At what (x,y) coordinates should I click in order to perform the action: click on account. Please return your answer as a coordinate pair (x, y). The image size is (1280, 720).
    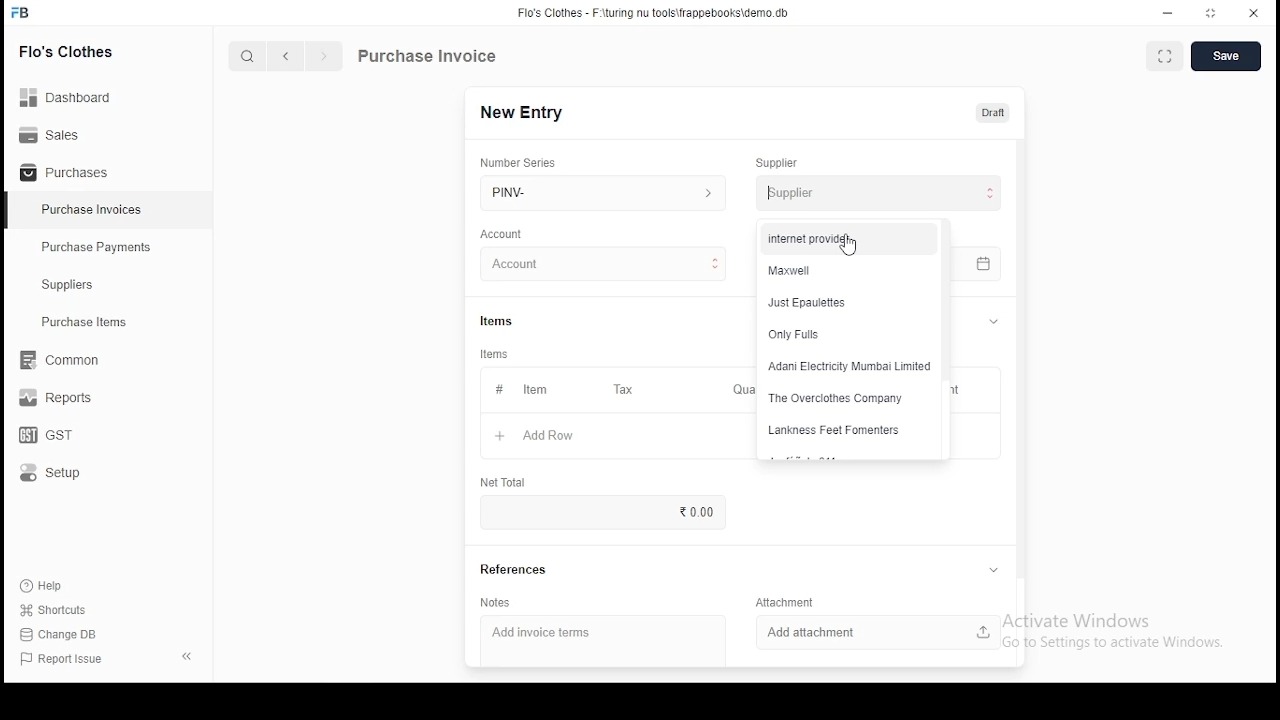
    Looking at the image, I should click on (604, 265).